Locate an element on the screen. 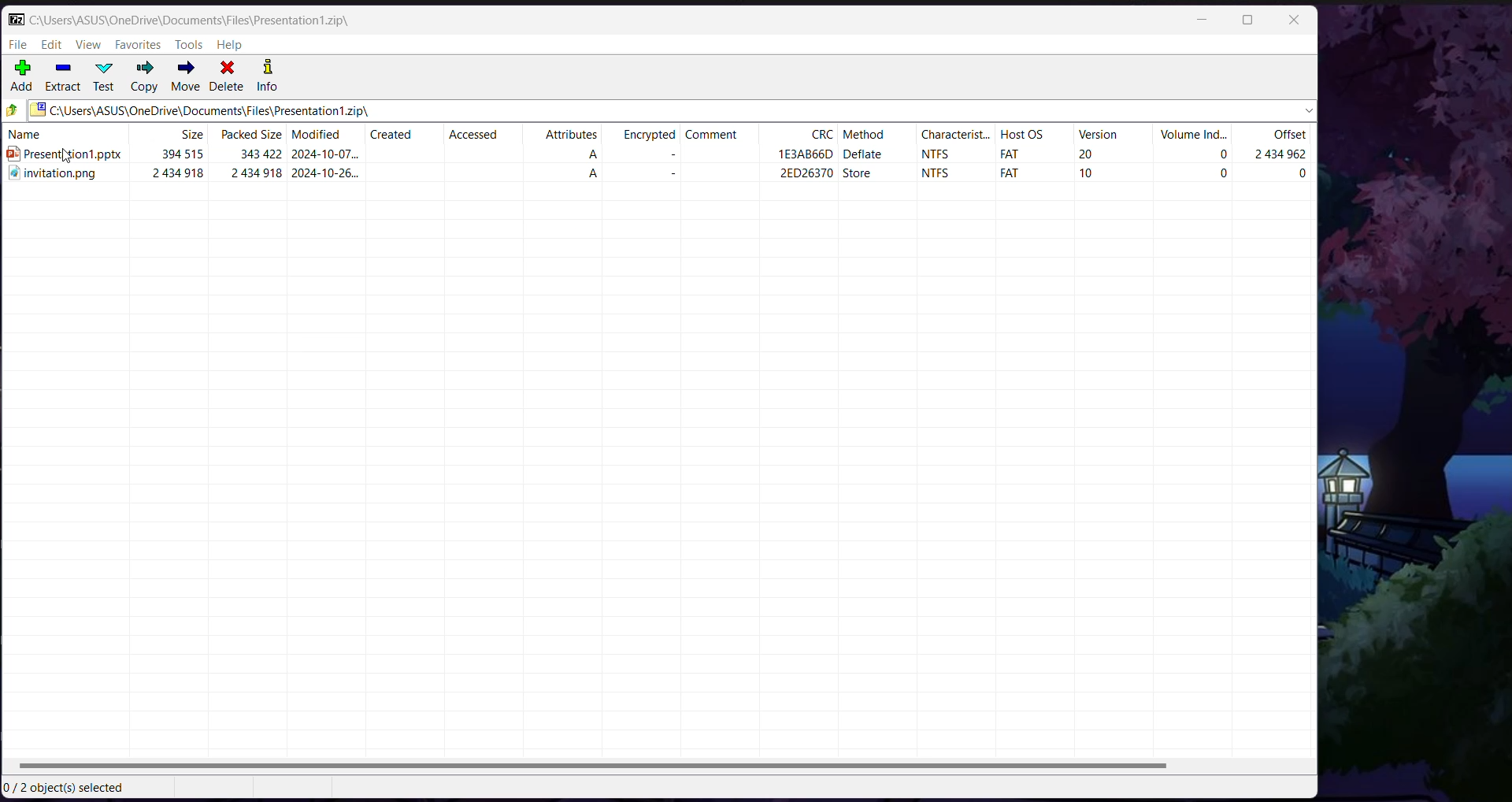  method is located at coordinates (872, 136).